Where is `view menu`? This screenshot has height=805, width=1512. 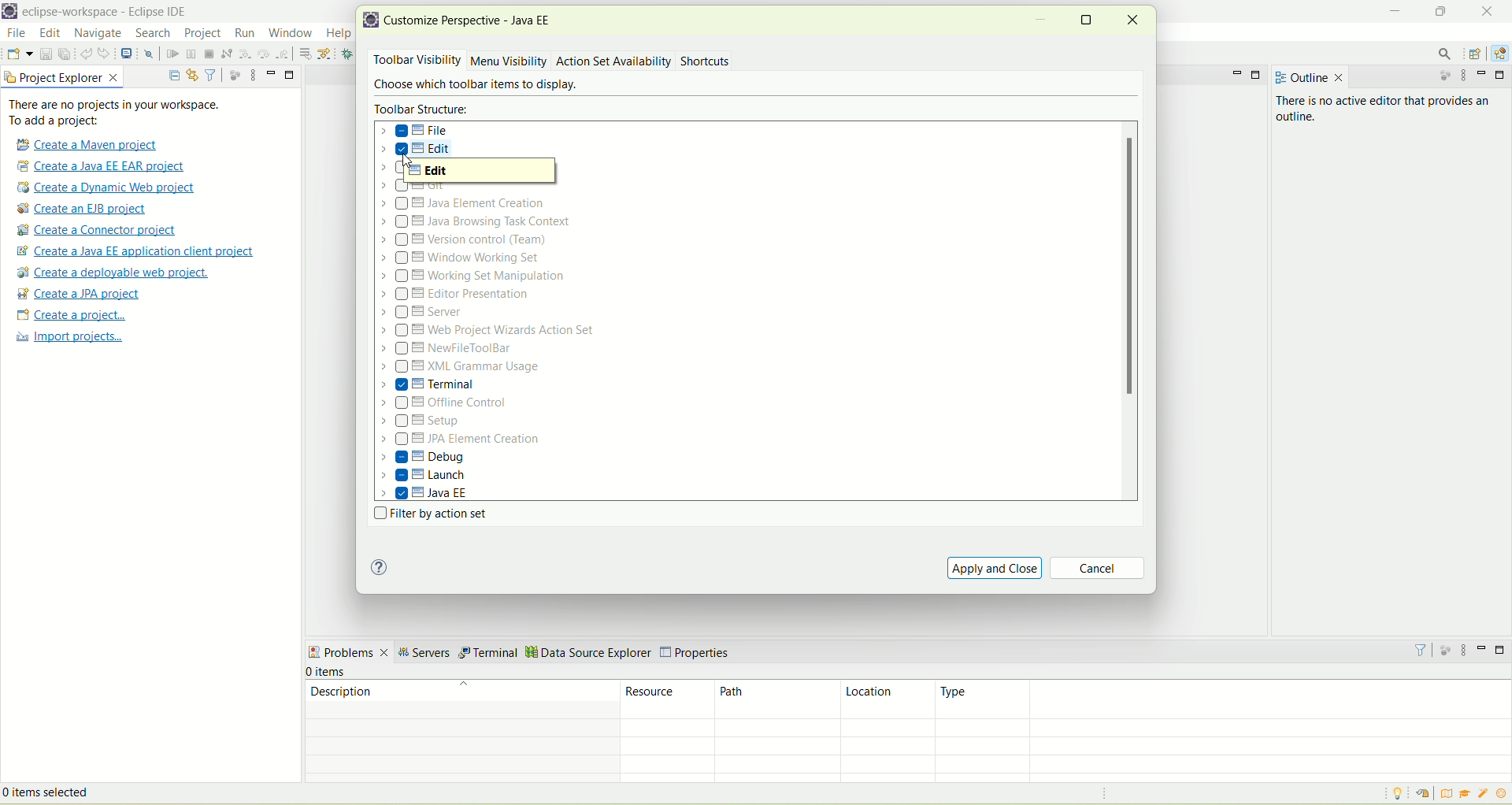 view menu is located at coordinates (1467, 651).